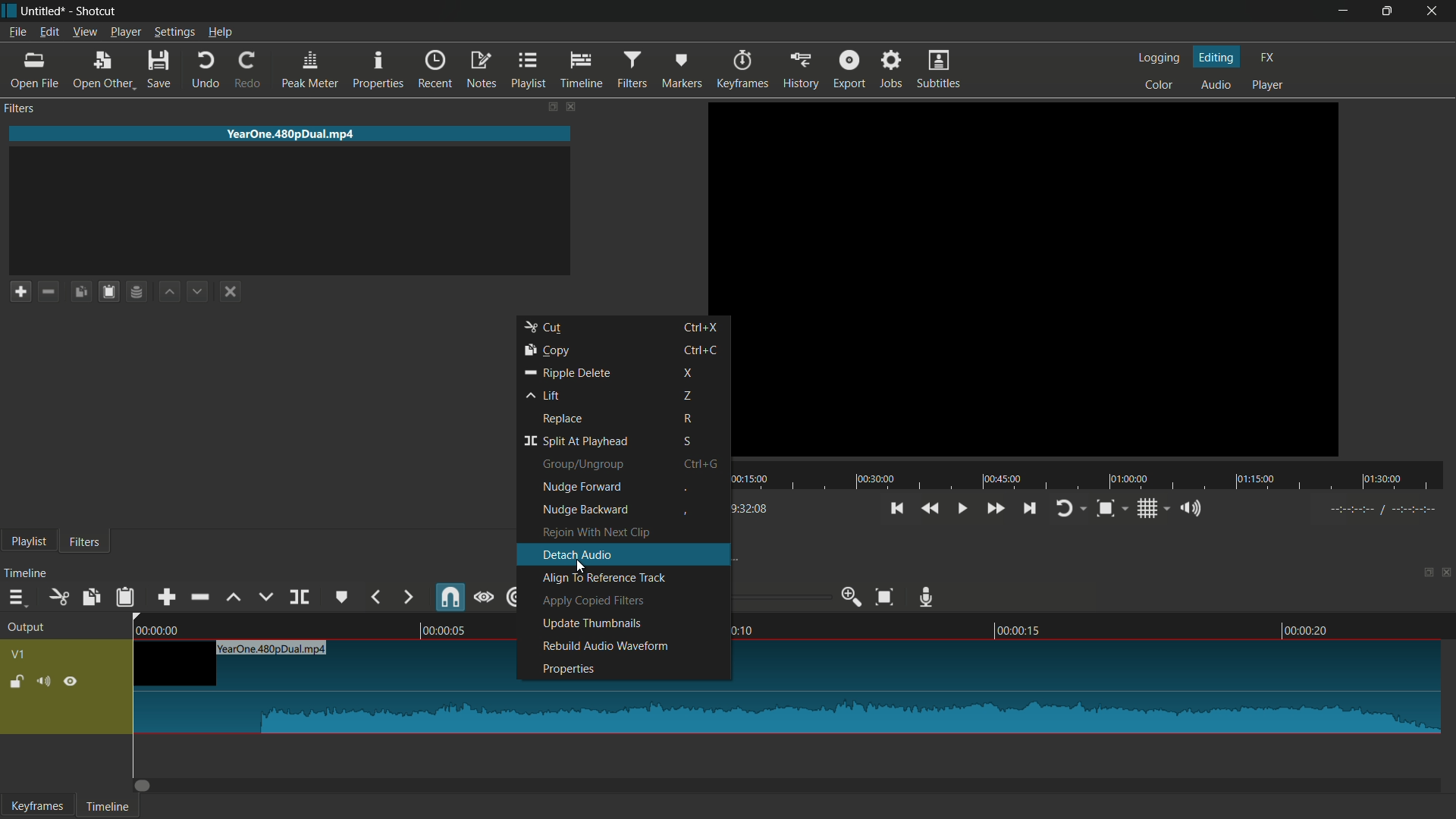 The height and width of the screenshot is (819, 1456). Describe the element at coordinates (1254, 479) in the screenshot. I see `01:15:00` at that location.